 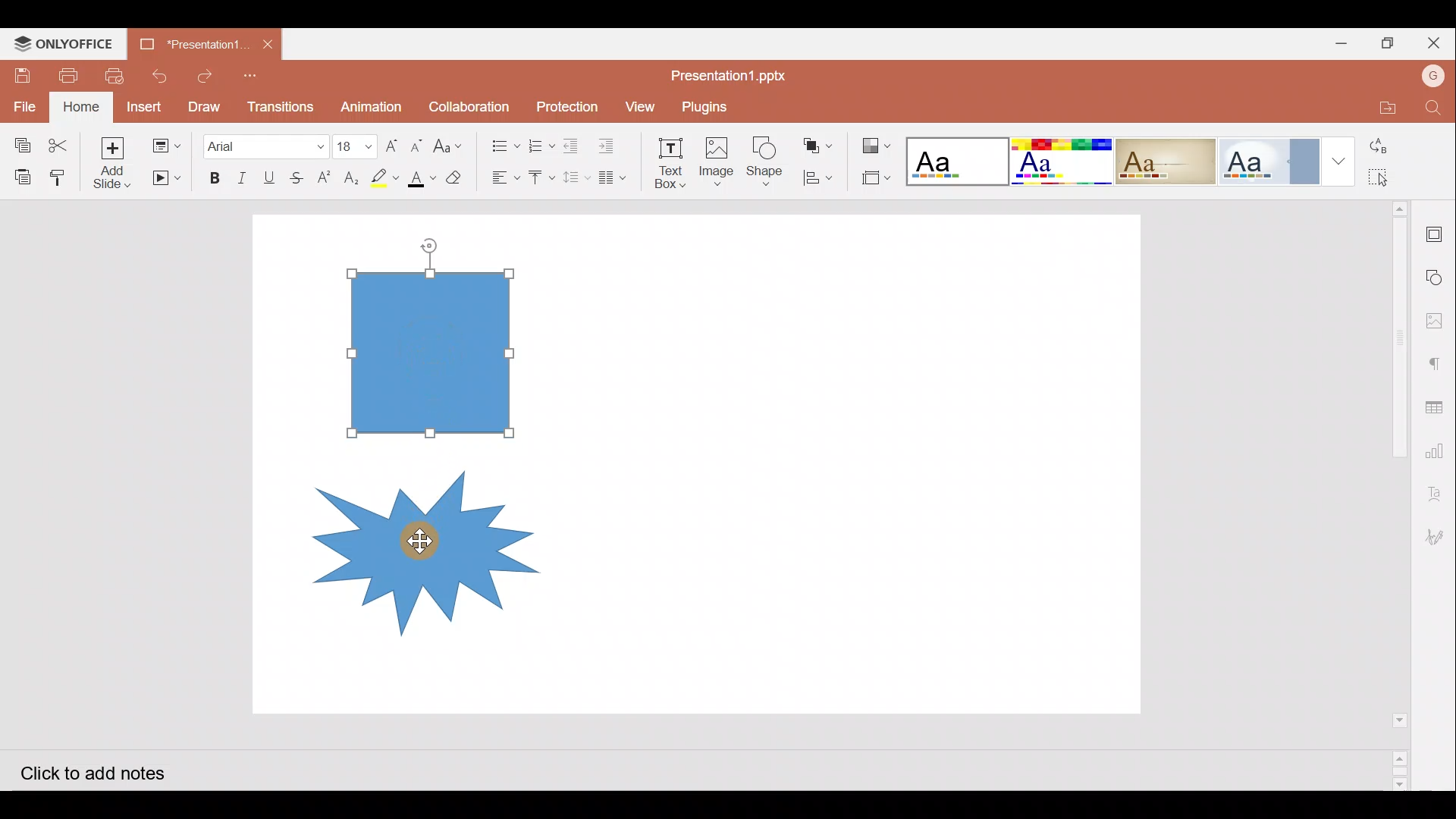 What do you see at coordinates (372, 102) in the screenshot?
I see `Animation` at bounding box center [372, 102].